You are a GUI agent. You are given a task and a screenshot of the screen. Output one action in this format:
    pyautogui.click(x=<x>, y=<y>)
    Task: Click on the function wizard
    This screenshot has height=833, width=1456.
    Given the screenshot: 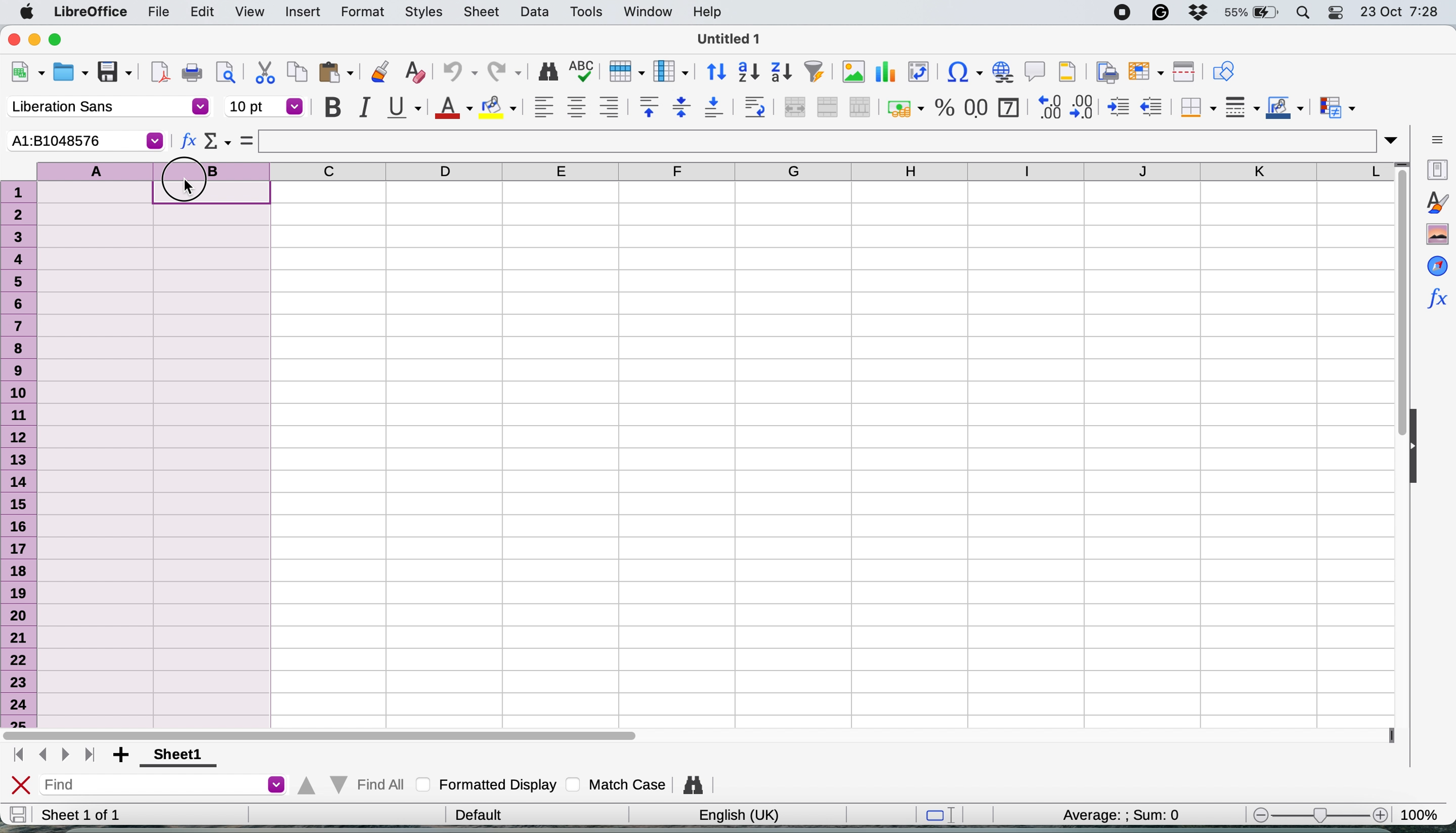 What is the action you would take?
    pyautogui.click(x=186, y=140)
    